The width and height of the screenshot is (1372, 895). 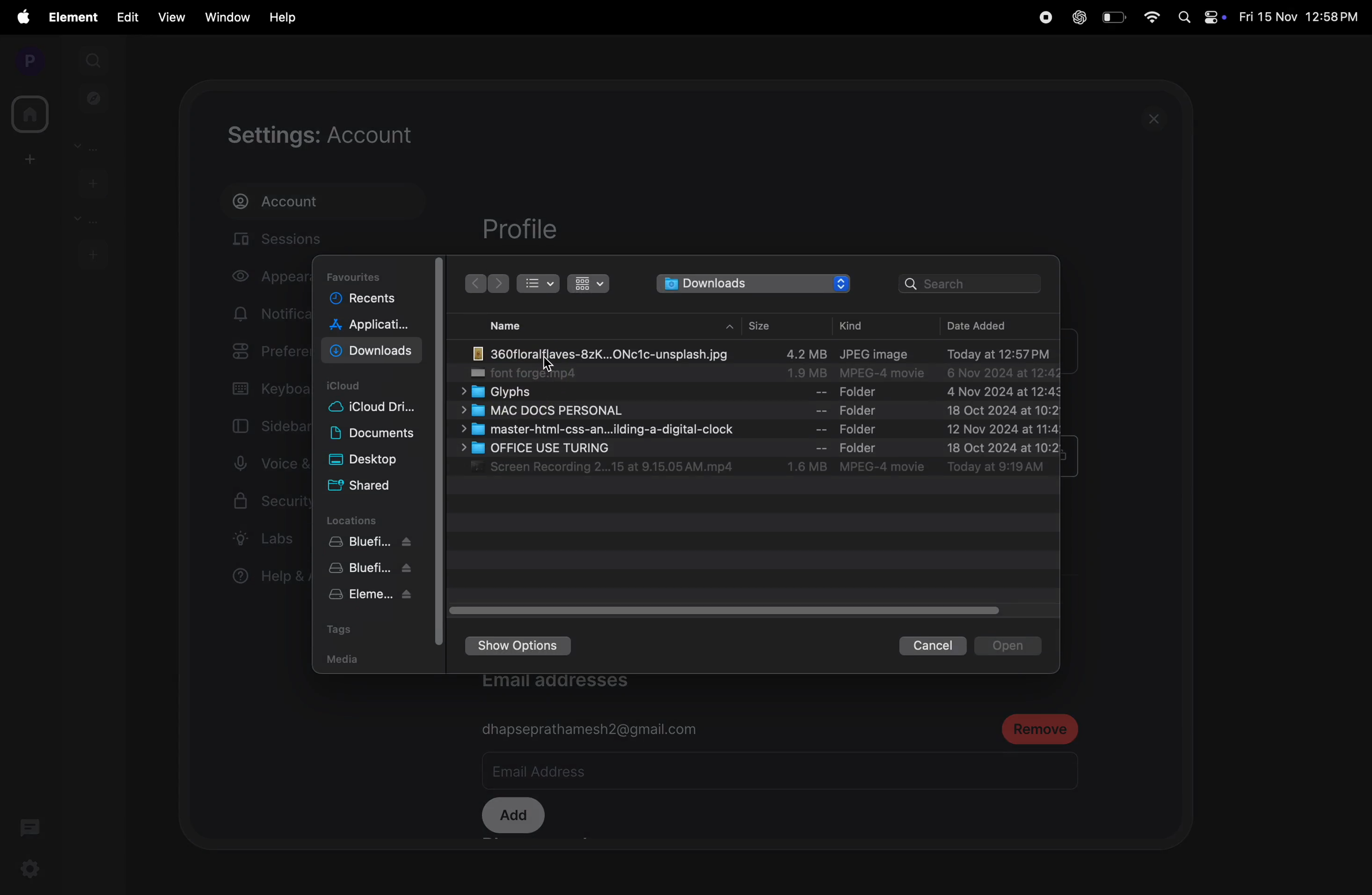 I want to click on account, so click(x=313, y=202).